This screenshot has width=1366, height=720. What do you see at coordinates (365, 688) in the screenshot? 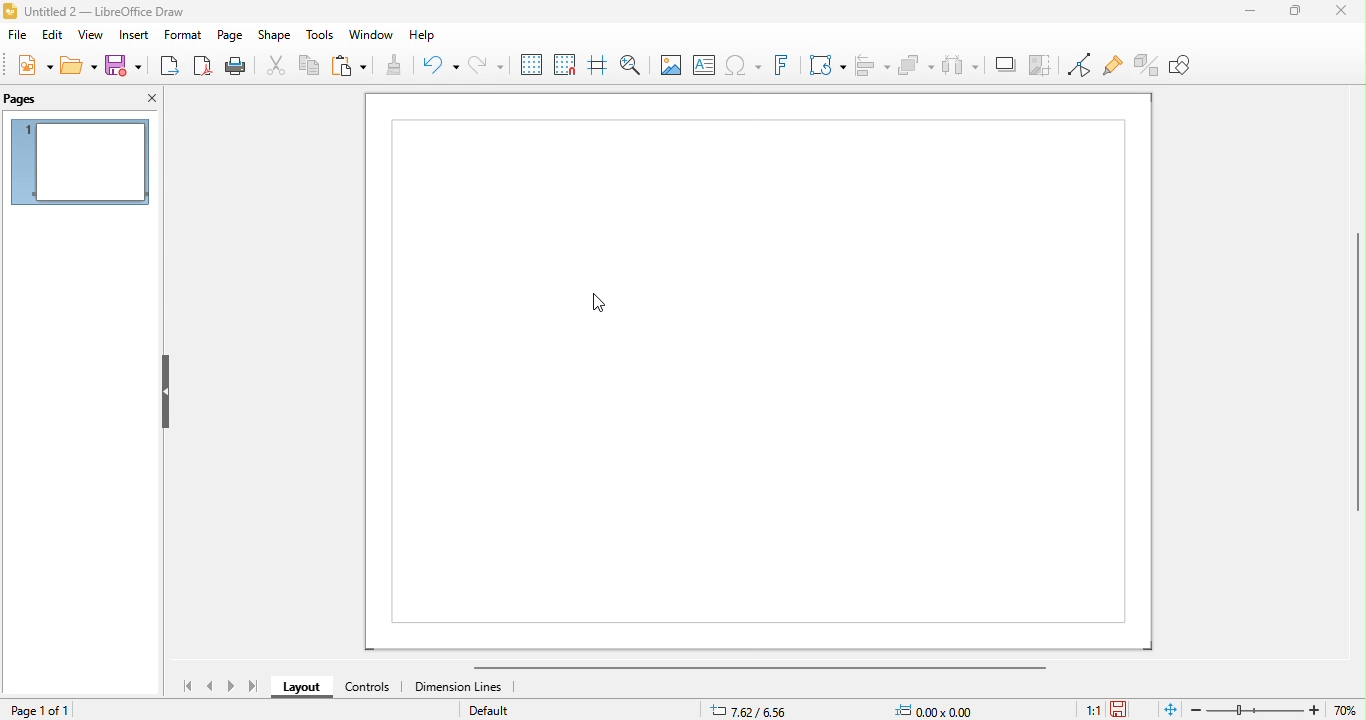
I see `controls` at bounding box center [365, 688].